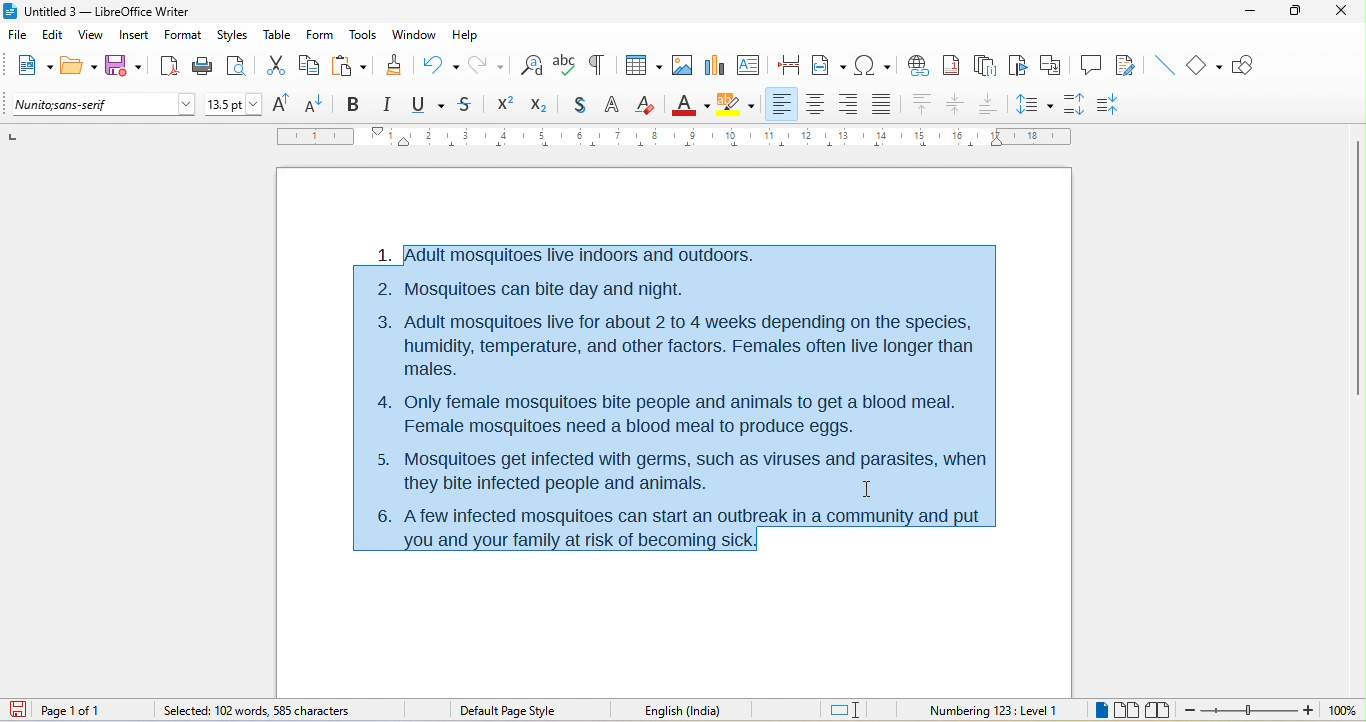 The image size is (1366, 722). Describe the element at coordinates (671, 396) in the screenshot. I see `1. |Adult mosquitoes live indoors and outdoors.

2. Mosquitoes can bite day and night.

3. Adult mosquitoes live for about 2 to 4 weeks depending on the species,
humidity, temperature, and other factors. Females often live longer than
males.

4. Only female mosquitoes bite people and animals to get a blood meal.
Female mosquitoes need a blood meal to produce eggs.

5. Mosquitoes get infected with germs, such as viruses and parasites, when
they bite infected people and animals. i

6. Afew infected mosquitoes can start an outbreak in a community and put
you and your family at risk of becoming sick.` at that location.